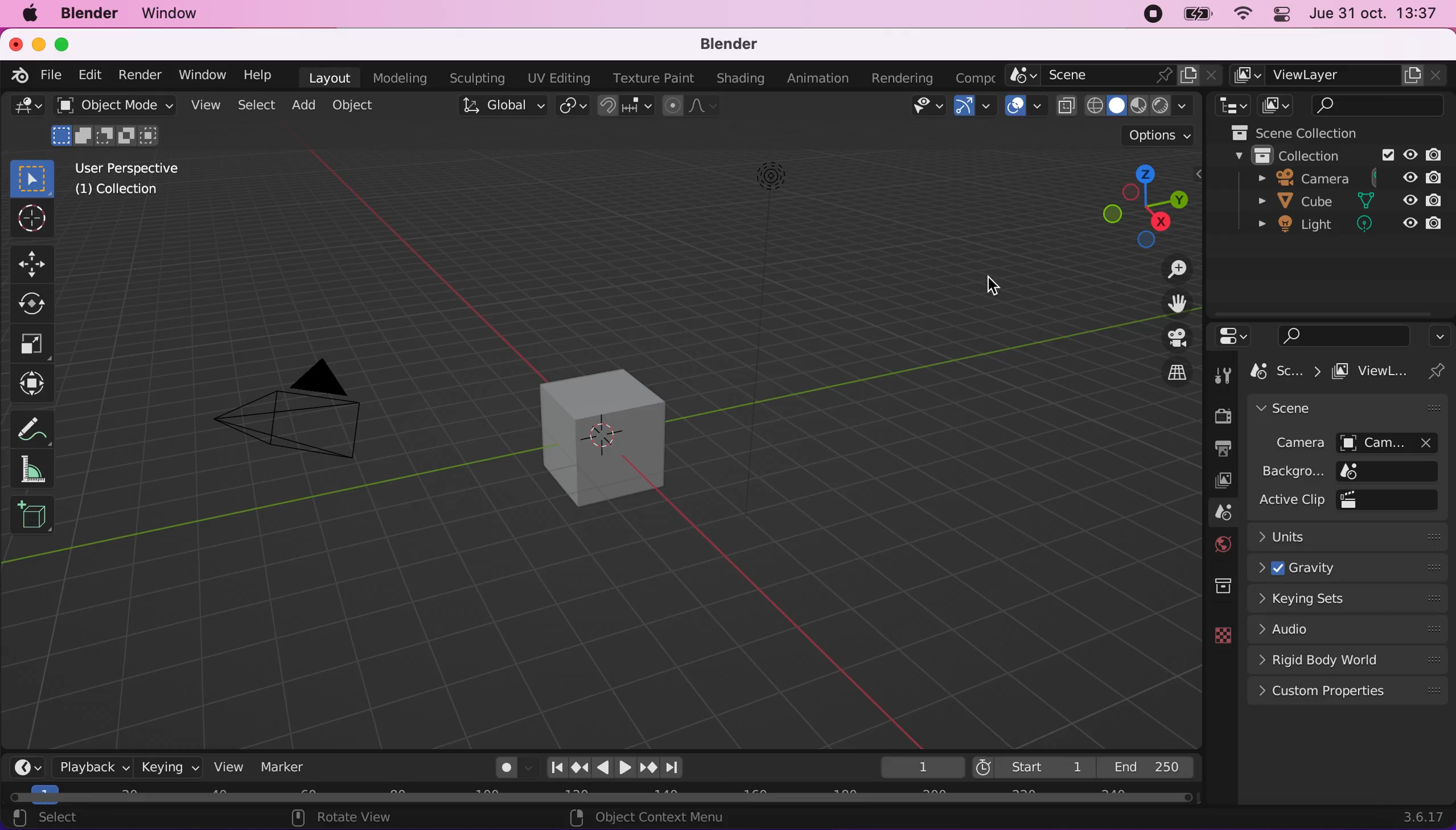 The width and height of the screenshot is (1456, 830). I want to click on jue 31 oct, 13:37, so click(1378, 14).